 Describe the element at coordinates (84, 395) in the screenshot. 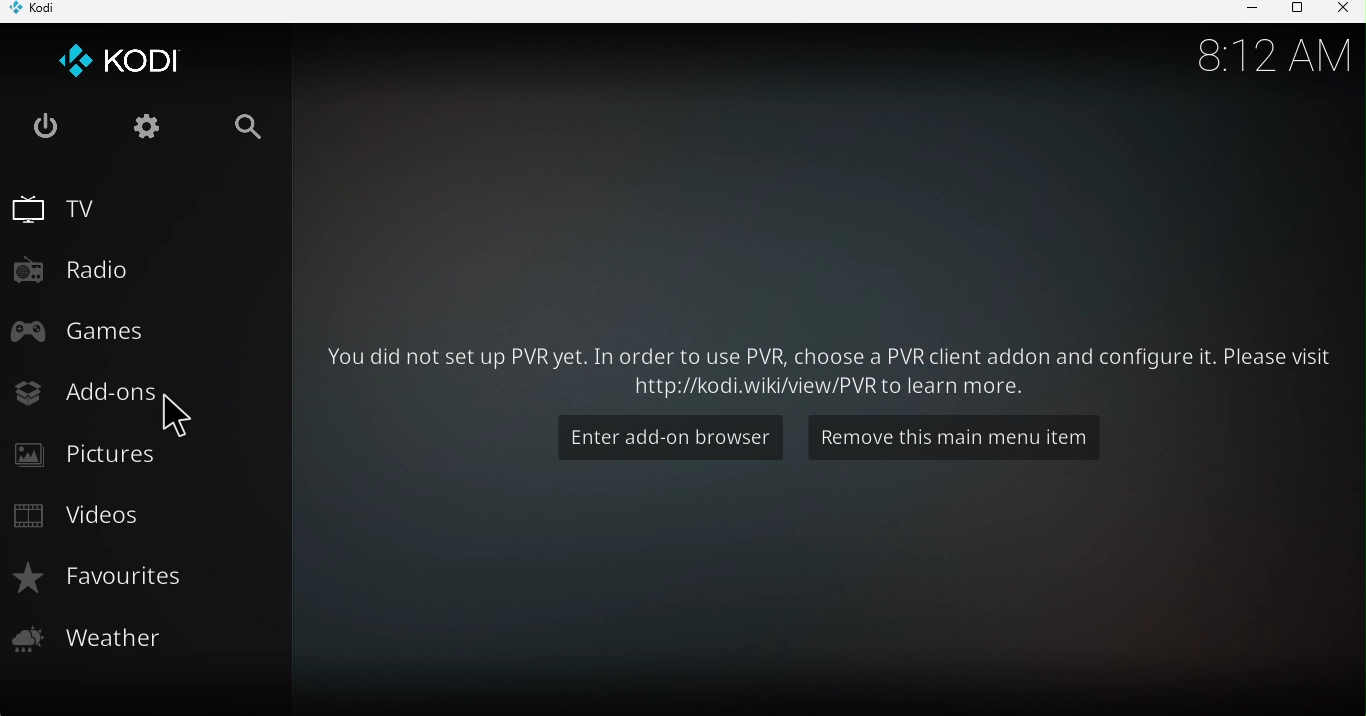

I see `Add-ons` at that location.